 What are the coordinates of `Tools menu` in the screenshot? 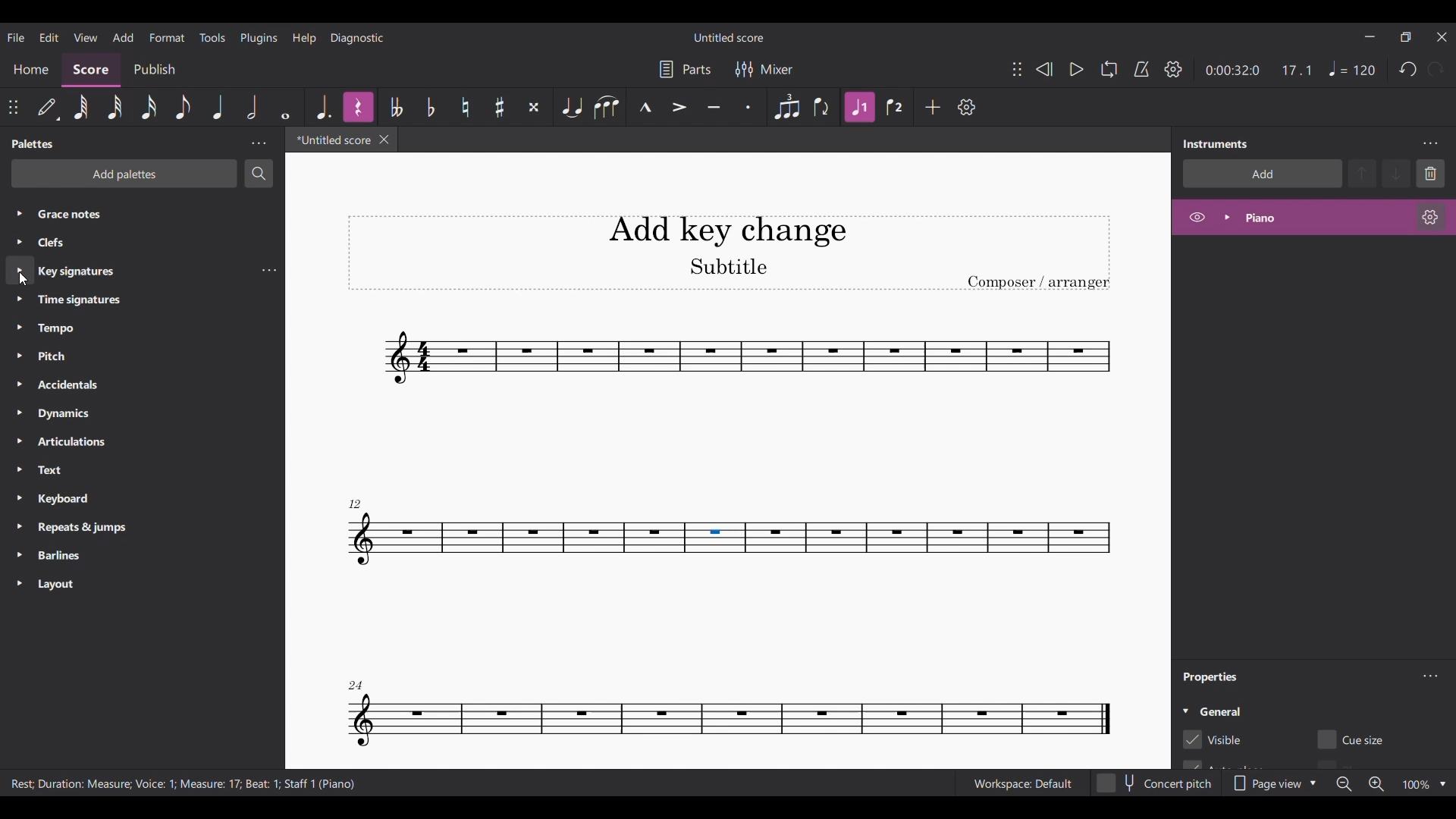 It's located at (212, 37).